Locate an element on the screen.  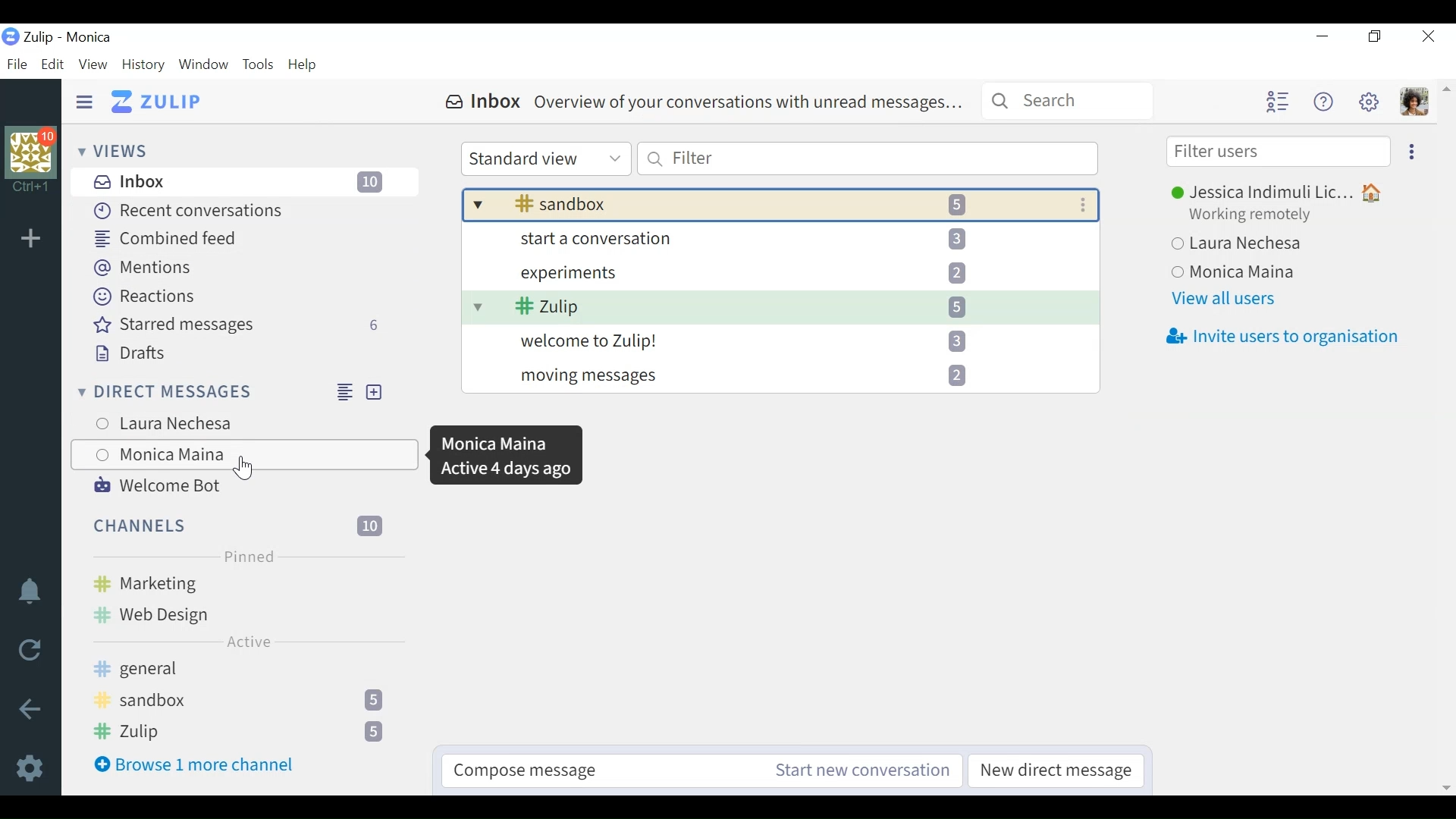
Help menu is located at coordinates (1323, 103).